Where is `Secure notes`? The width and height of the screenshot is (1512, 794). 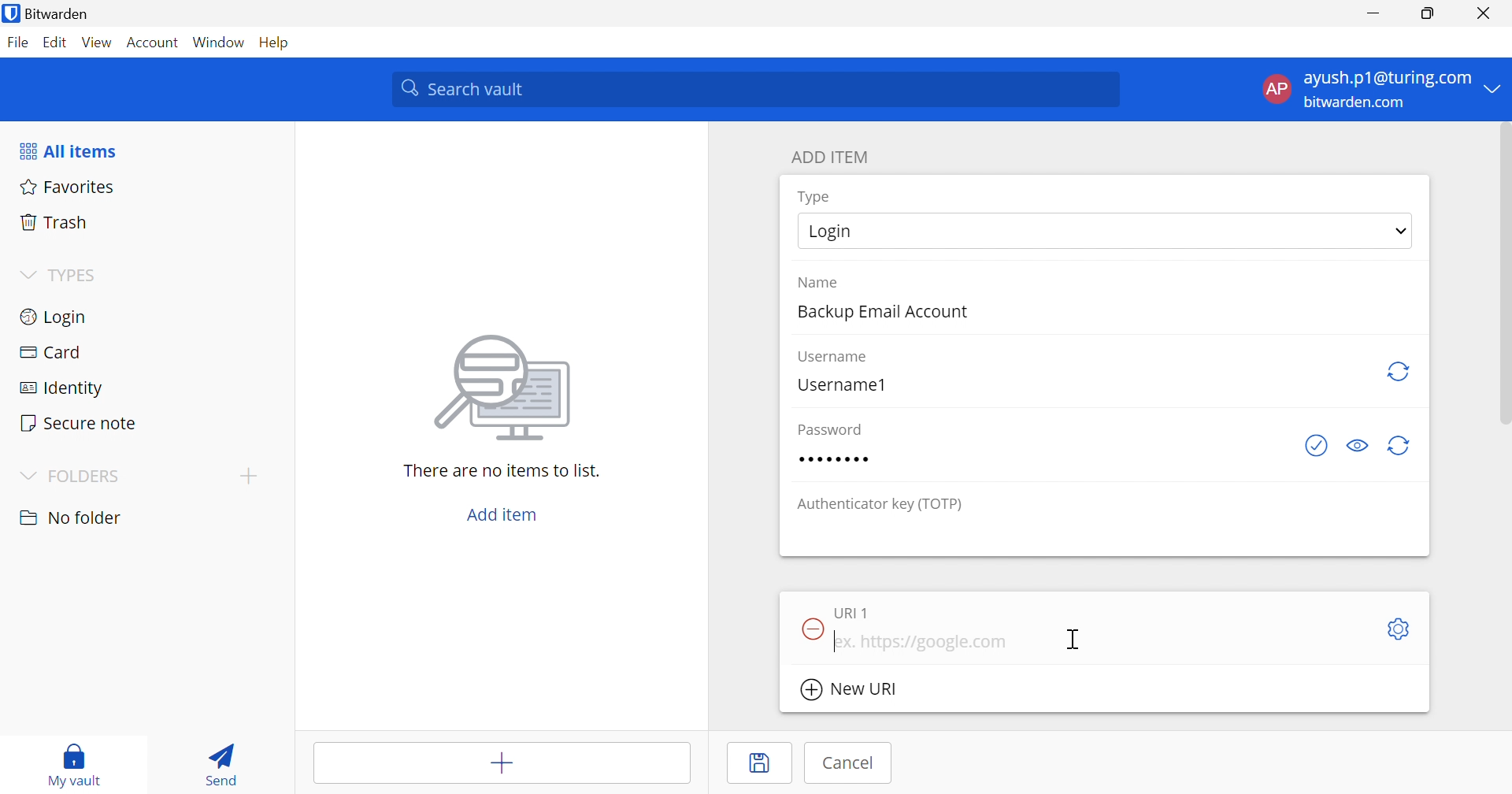 Secure notes is located at coordinates (80, 423).